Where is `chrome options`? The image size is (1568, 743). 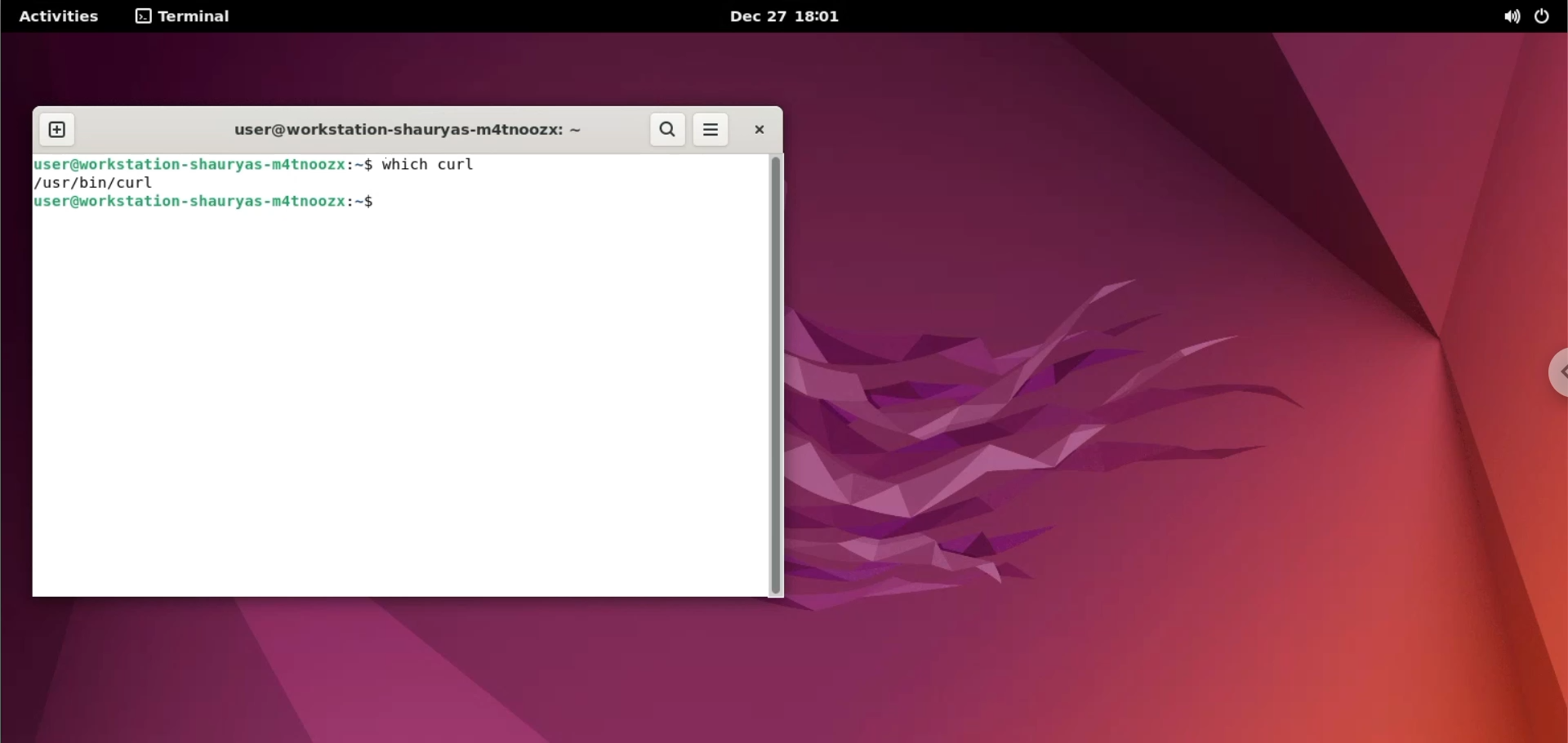
chrome options is located at coordinates (1552, 376).